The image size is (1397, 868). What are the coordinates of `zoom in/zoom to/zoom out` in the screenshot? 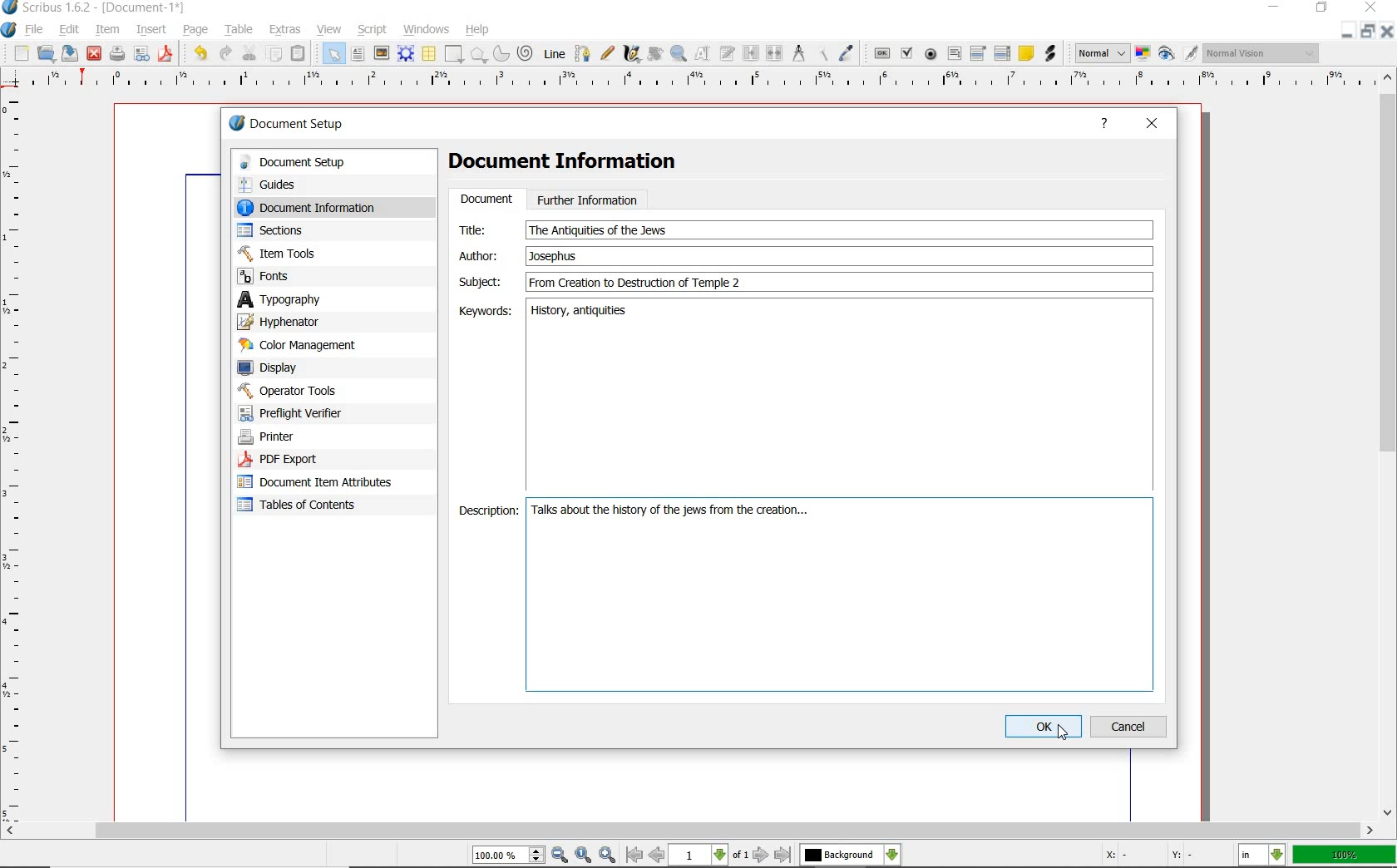 It's located at (546, 855).